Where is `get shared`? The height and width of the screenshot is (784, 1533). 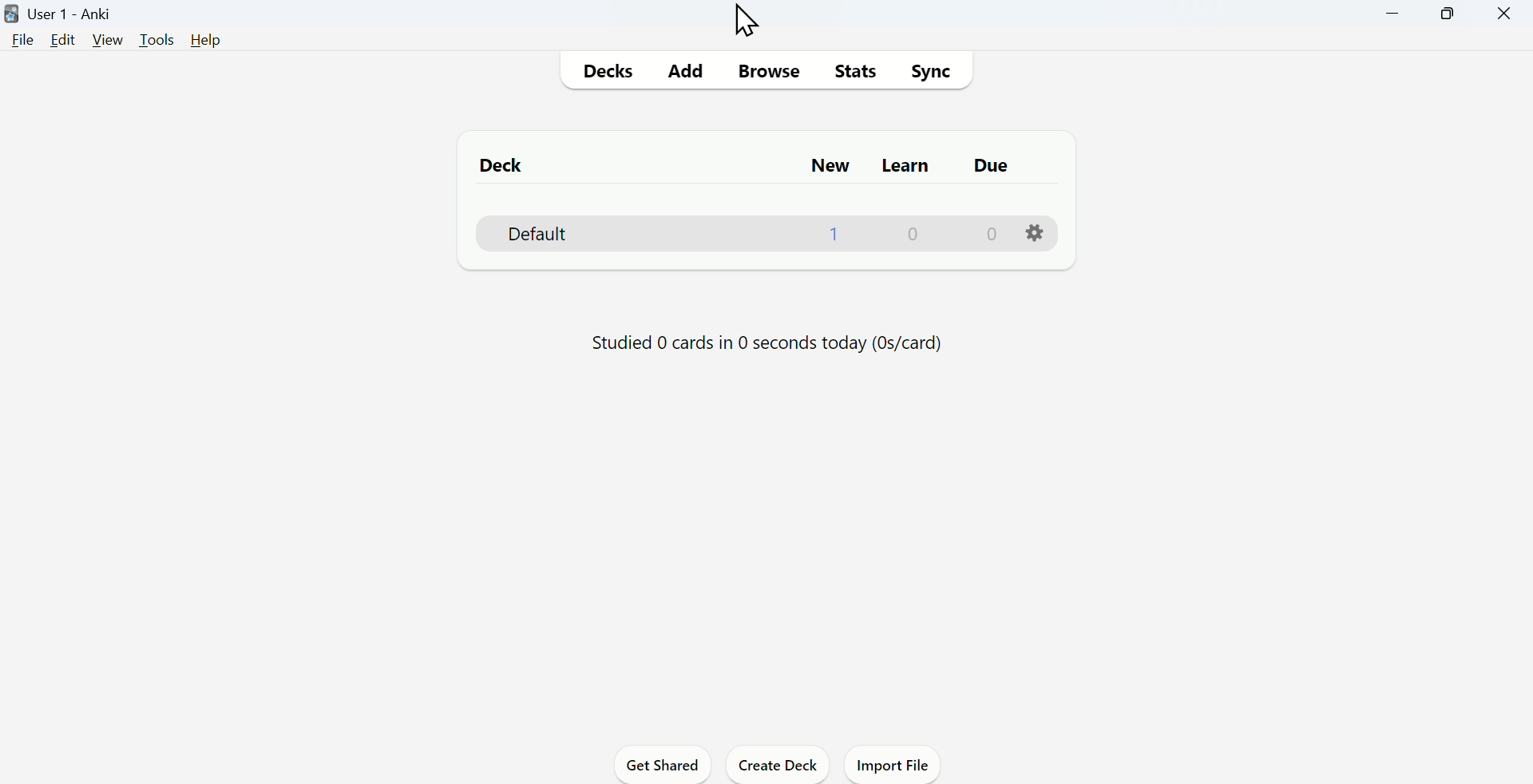
get shared is located at coordinates (665, 766).